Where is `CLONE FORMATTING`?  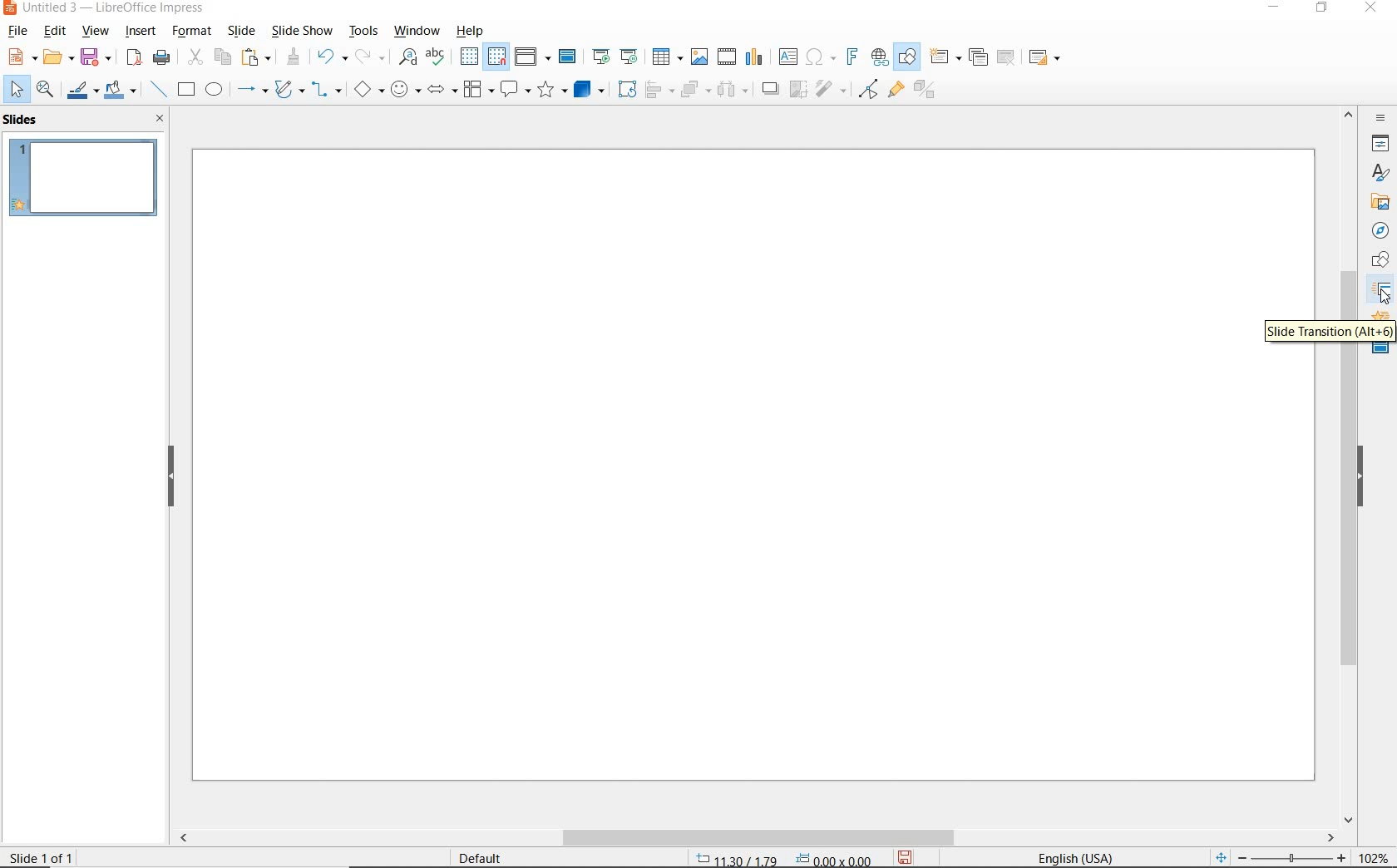 CLONE FORMATTING is located at coordinates (294, 58).